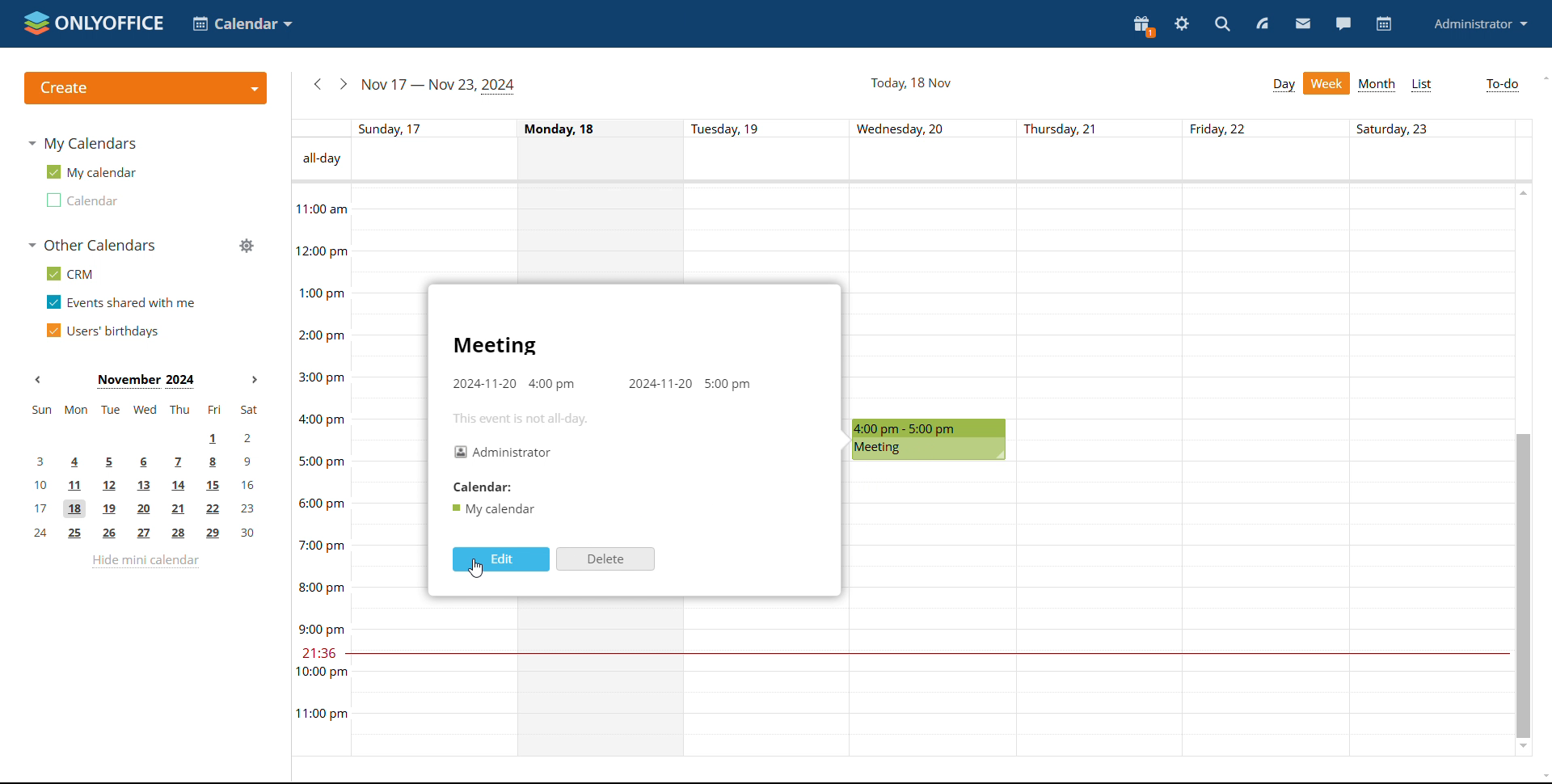 The height and width of the screenshot is (784, 1552). Describe the element at coordinates (926, 654) in the screenshot. I see `current time` at that location.